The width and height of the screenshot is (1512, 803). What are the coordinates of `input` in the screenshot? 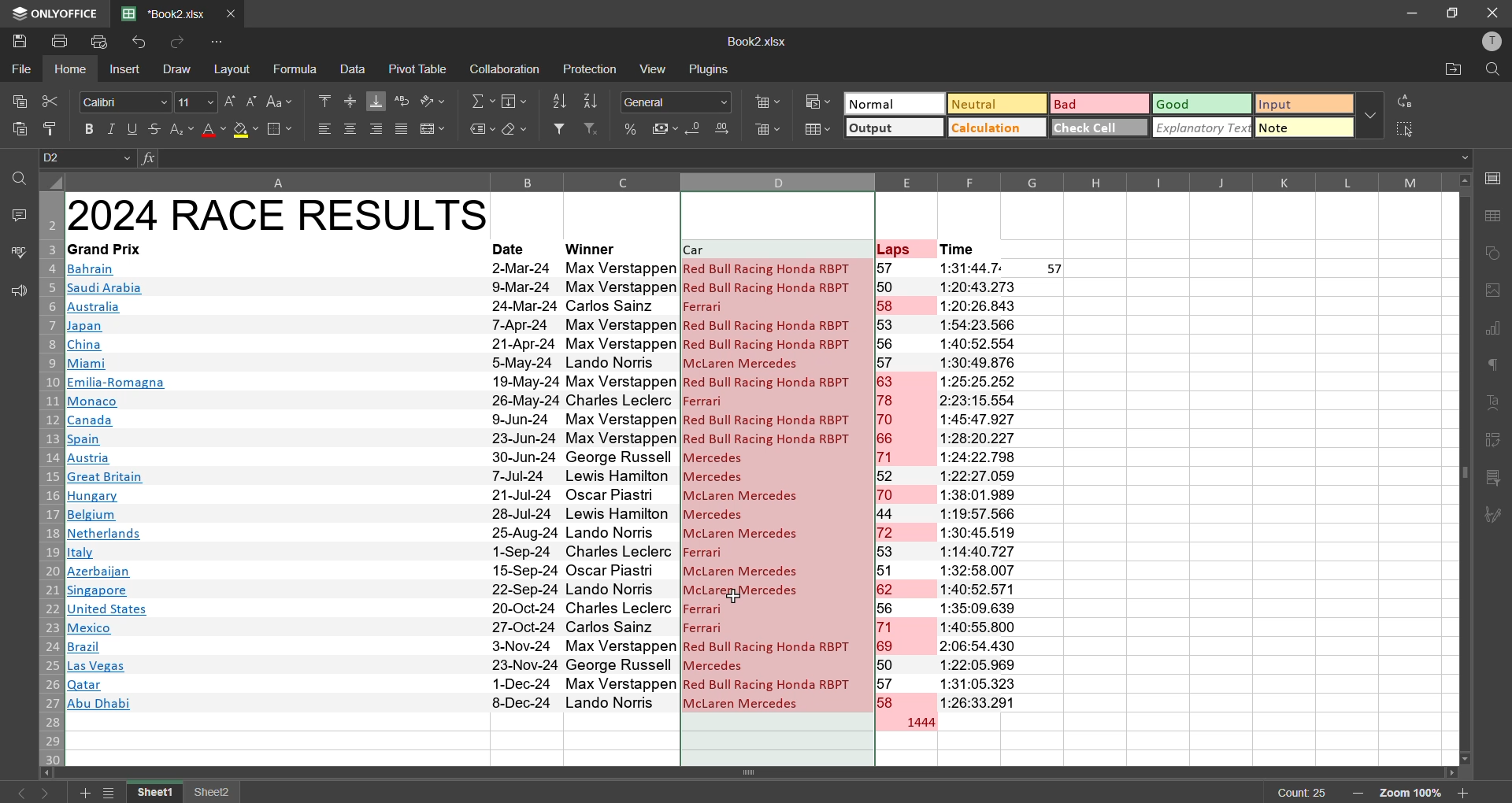 It's located at (1304, 105).